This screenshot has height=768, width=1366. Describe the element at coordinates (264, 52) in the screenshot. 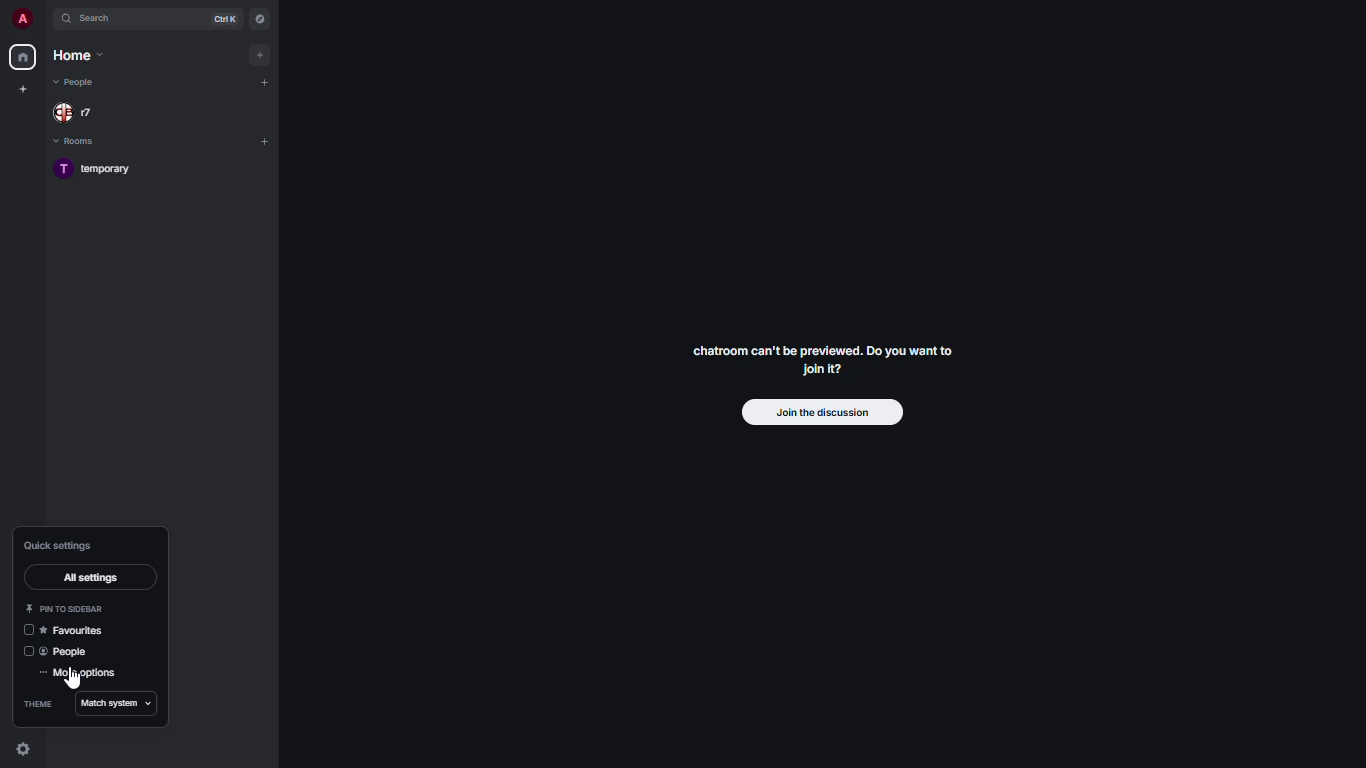

I see `add` at that location.